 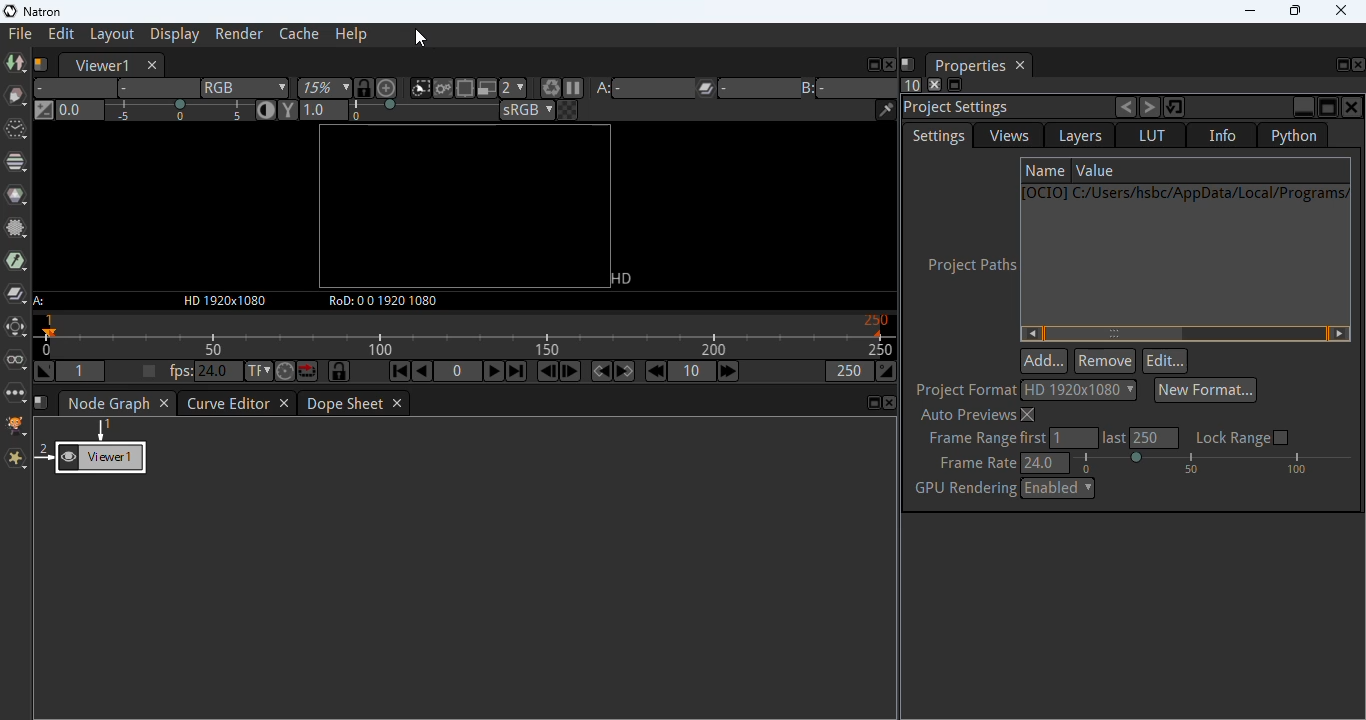 I want to click on first value, so click(x=1074, y=438).